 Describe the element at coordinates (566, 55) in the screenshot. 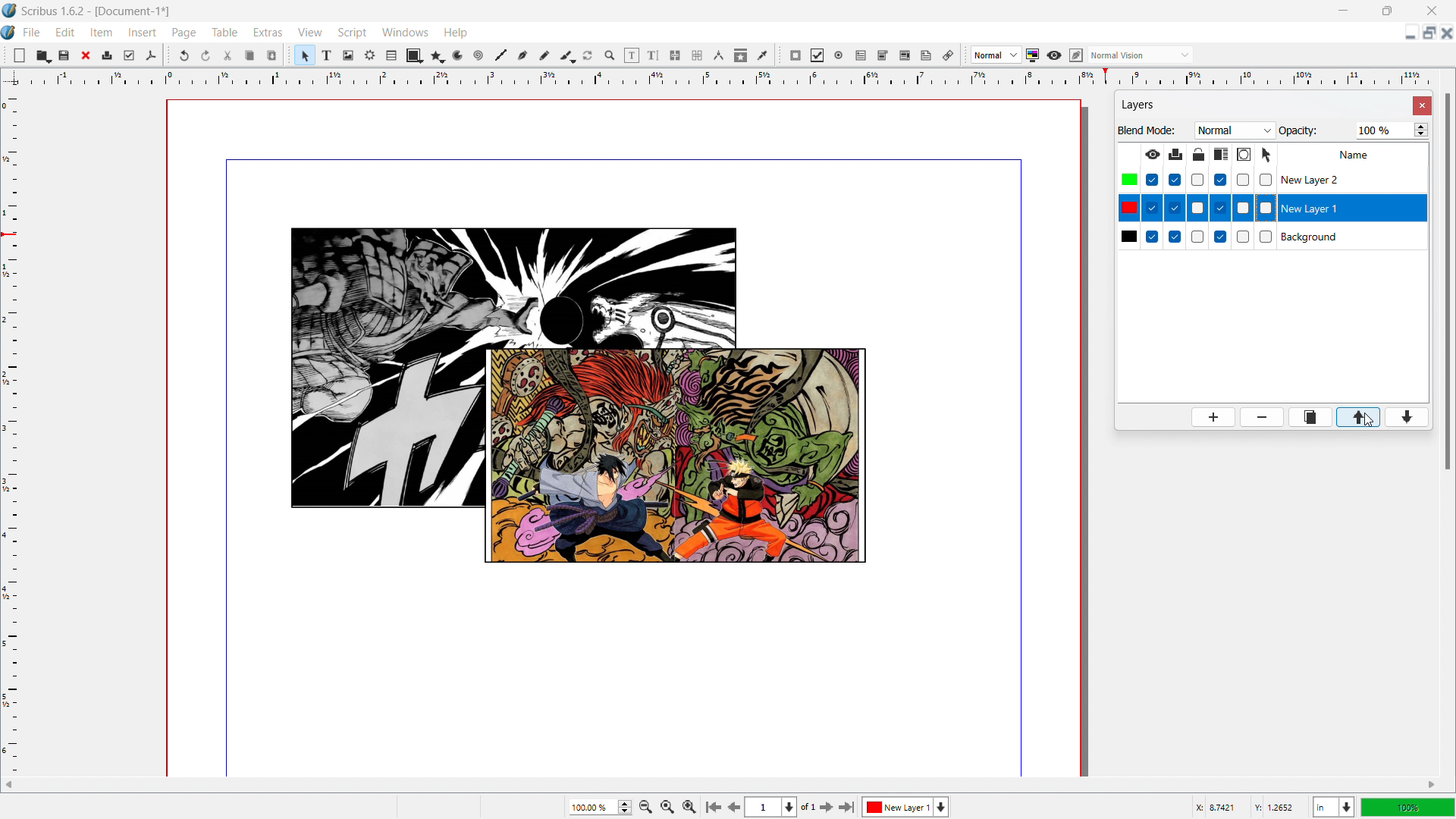

I see `caligraphic line` at that location.